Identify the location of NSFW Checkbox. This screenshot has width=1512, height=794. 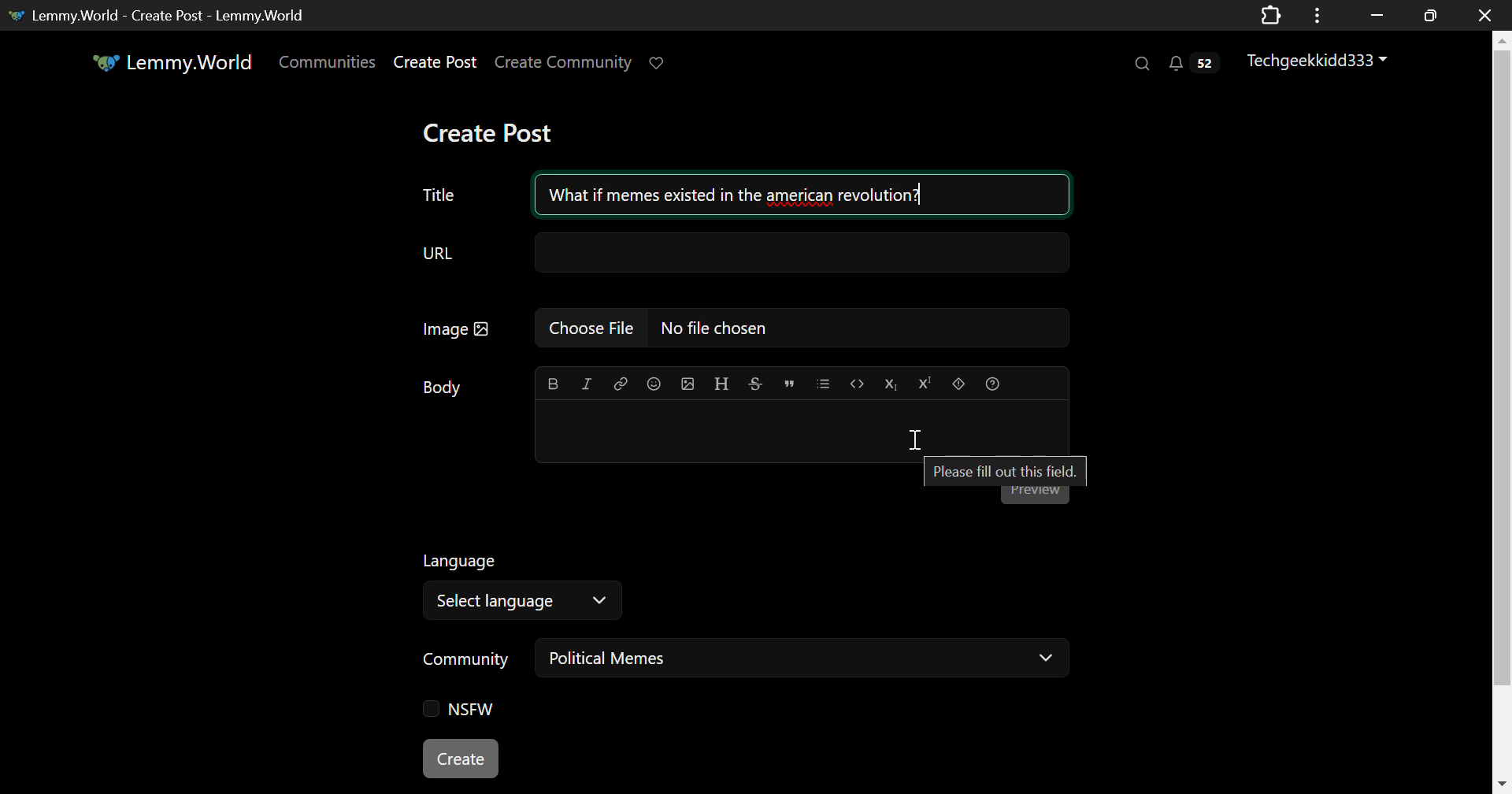
(454, 710).